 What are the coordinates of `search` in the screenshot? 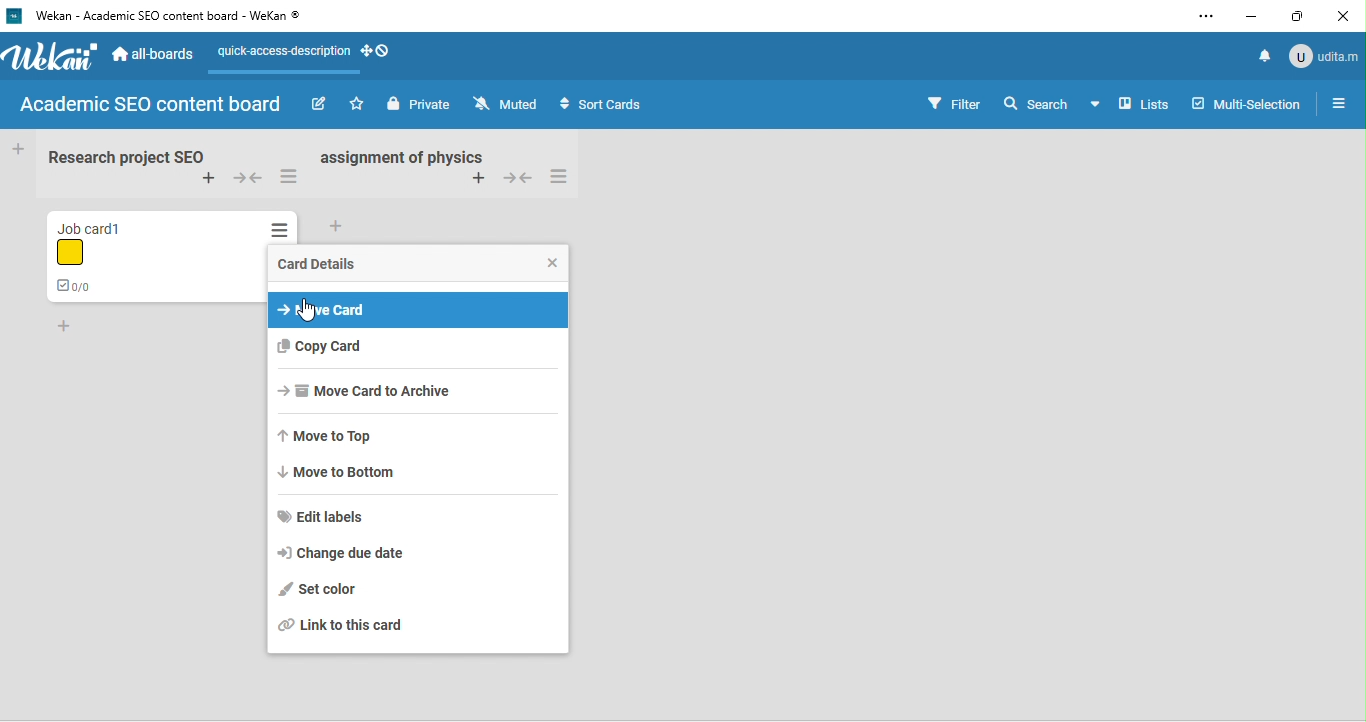 It's located at (1033, 103).